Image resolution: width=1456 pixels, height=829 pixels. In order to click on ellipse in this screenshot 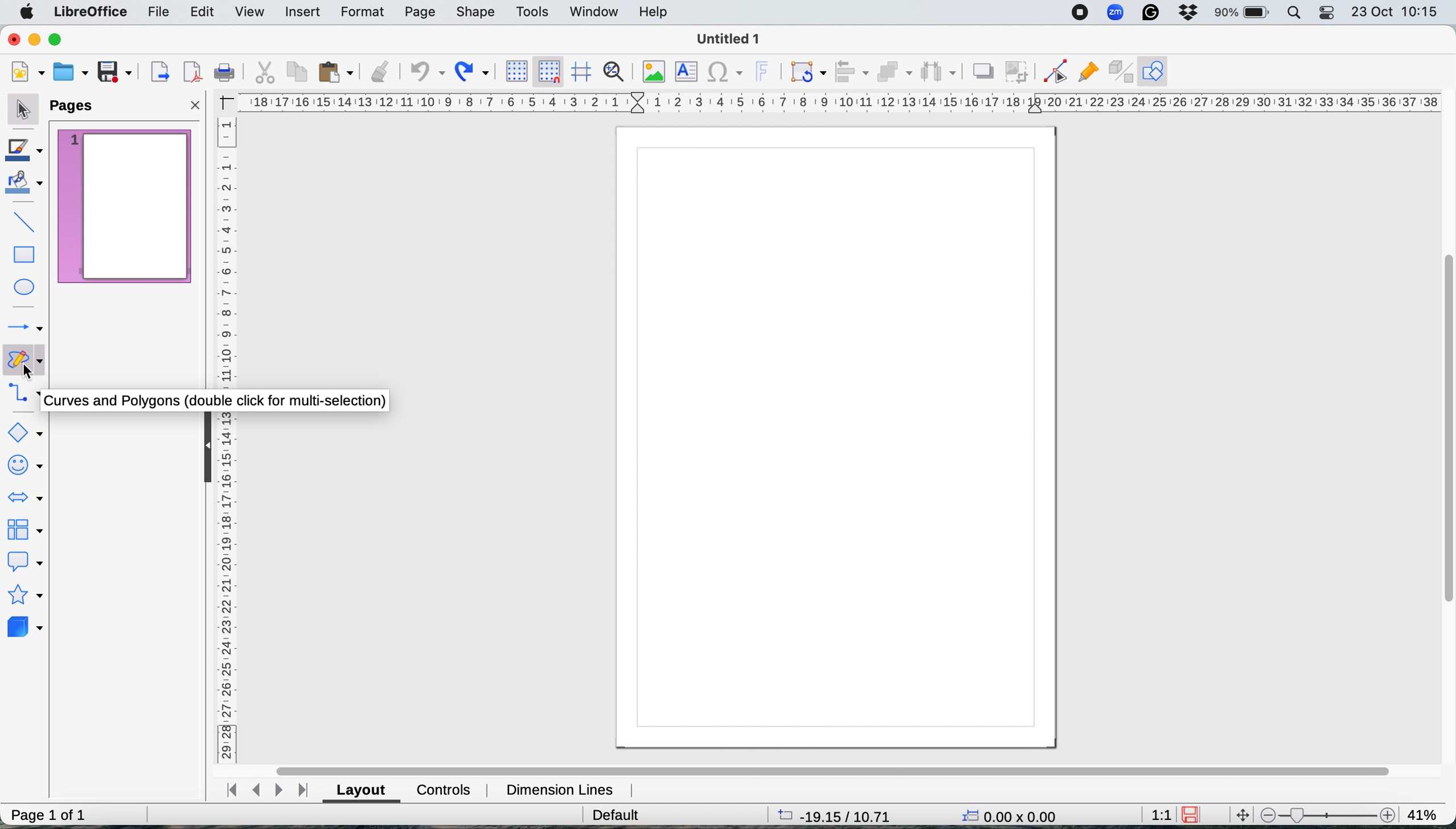, I will do `click(27, 284)`.